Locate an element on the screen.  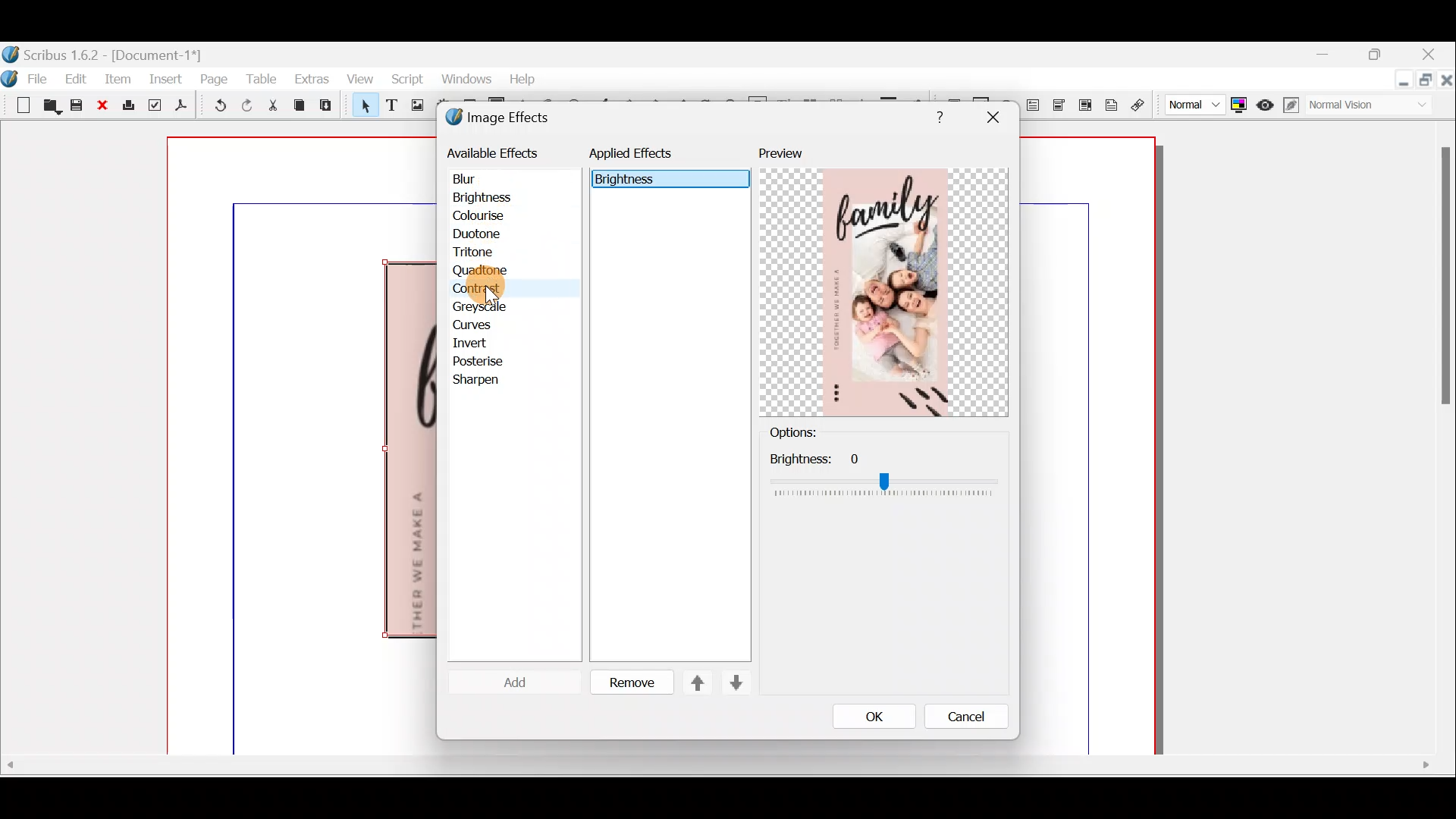
Sharpen is located at coordinates (484, 381).